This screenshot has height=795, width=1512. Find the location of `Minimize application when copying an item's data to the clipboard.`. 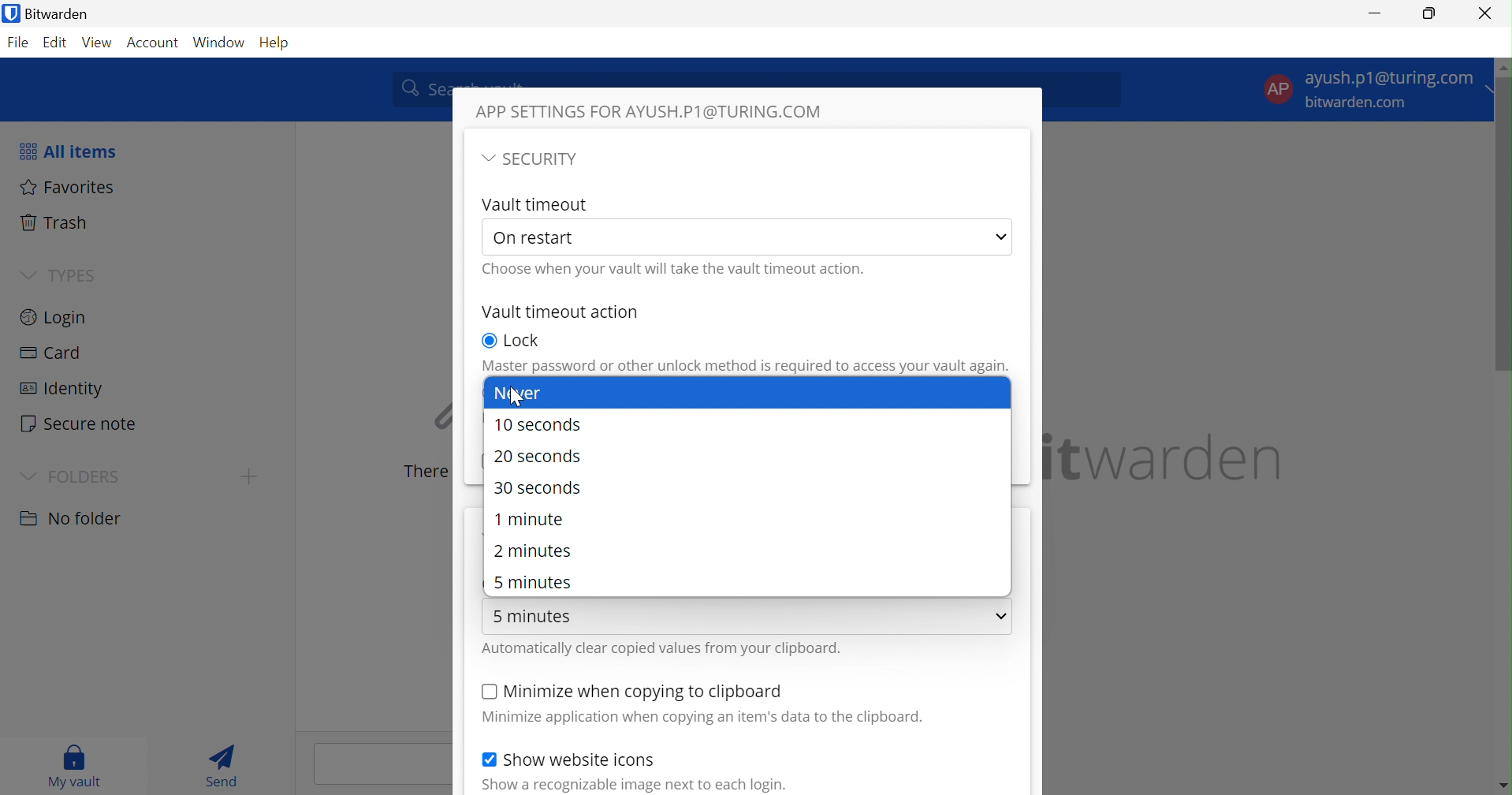

Minimize application when copying an item's data to the clipboard. is located at coordinates (706, 718).